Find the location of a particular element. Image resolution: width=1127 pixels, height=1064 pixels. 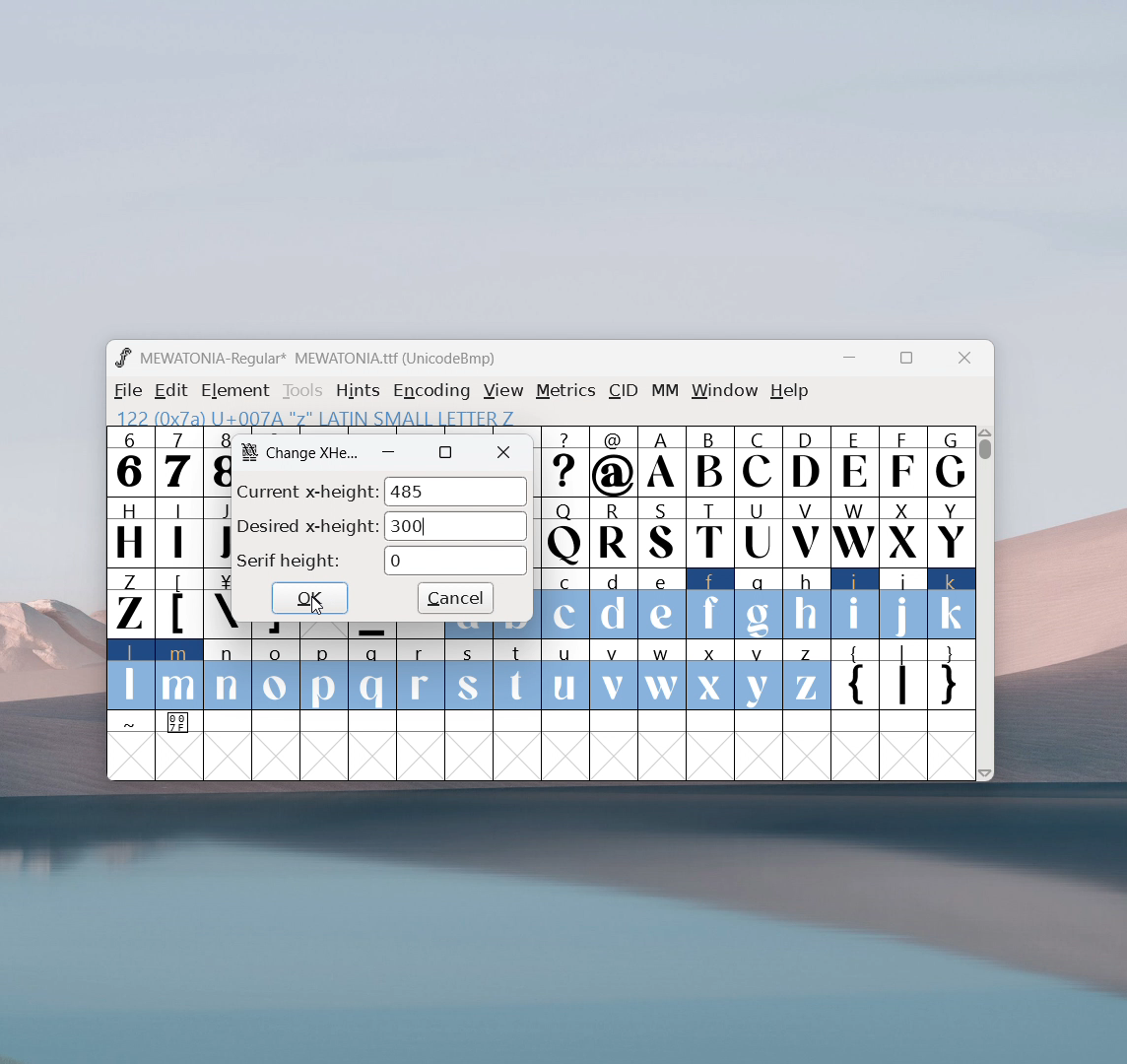

G is located at coordinates (951, 461).